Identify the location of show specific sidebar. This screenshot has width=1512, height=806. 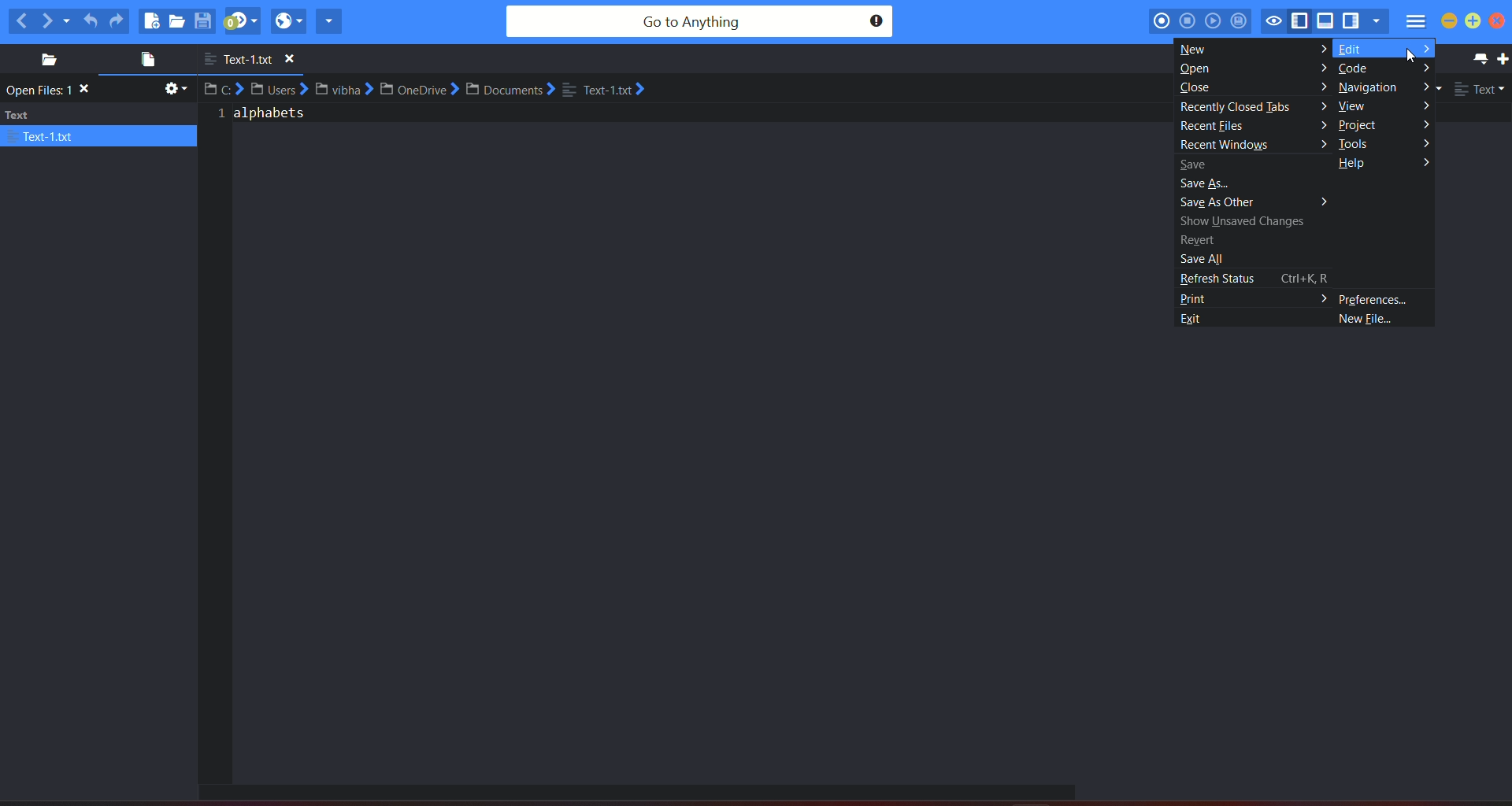
(1376, 21).